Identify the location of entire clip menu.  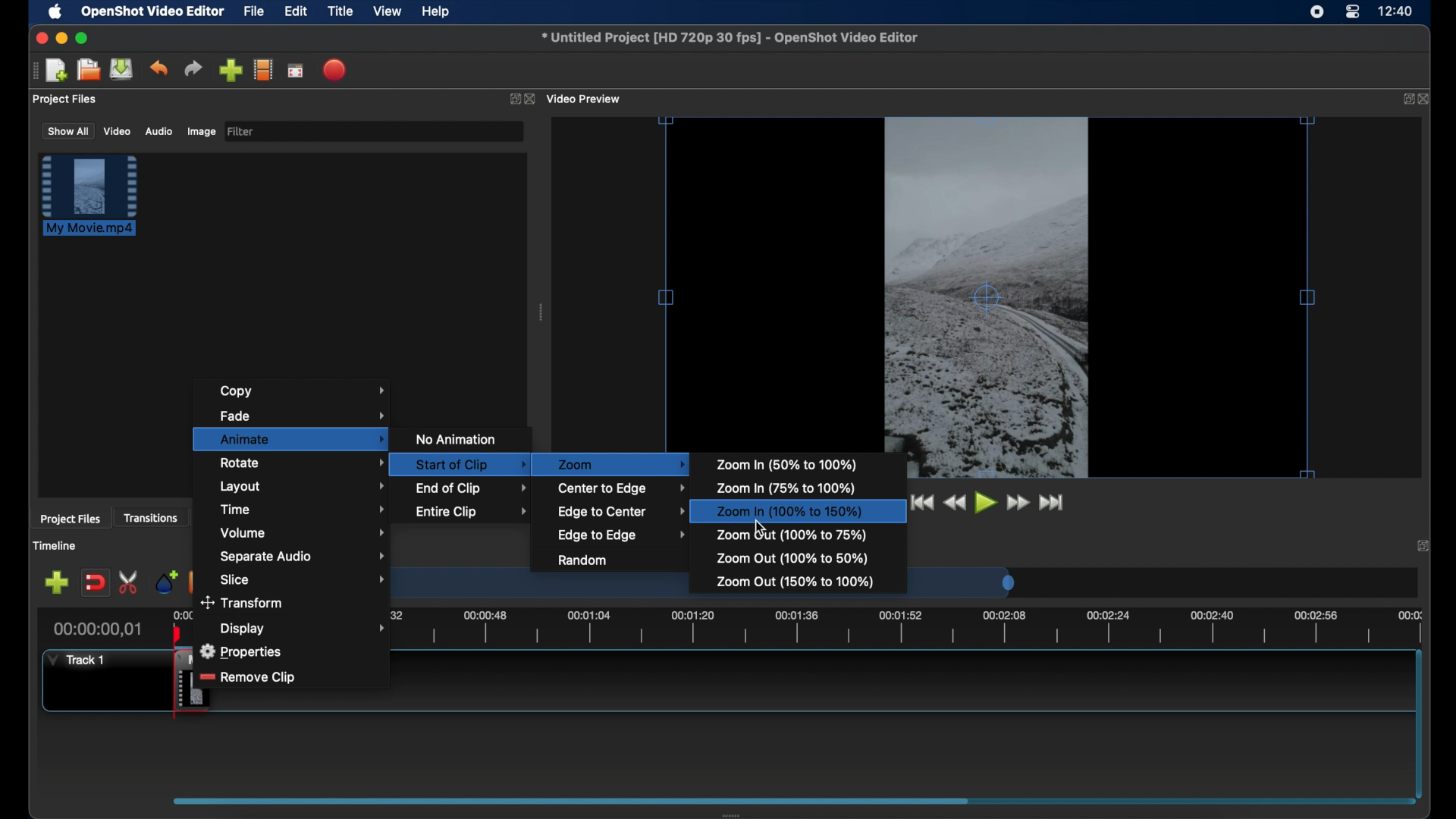
(472, 511).